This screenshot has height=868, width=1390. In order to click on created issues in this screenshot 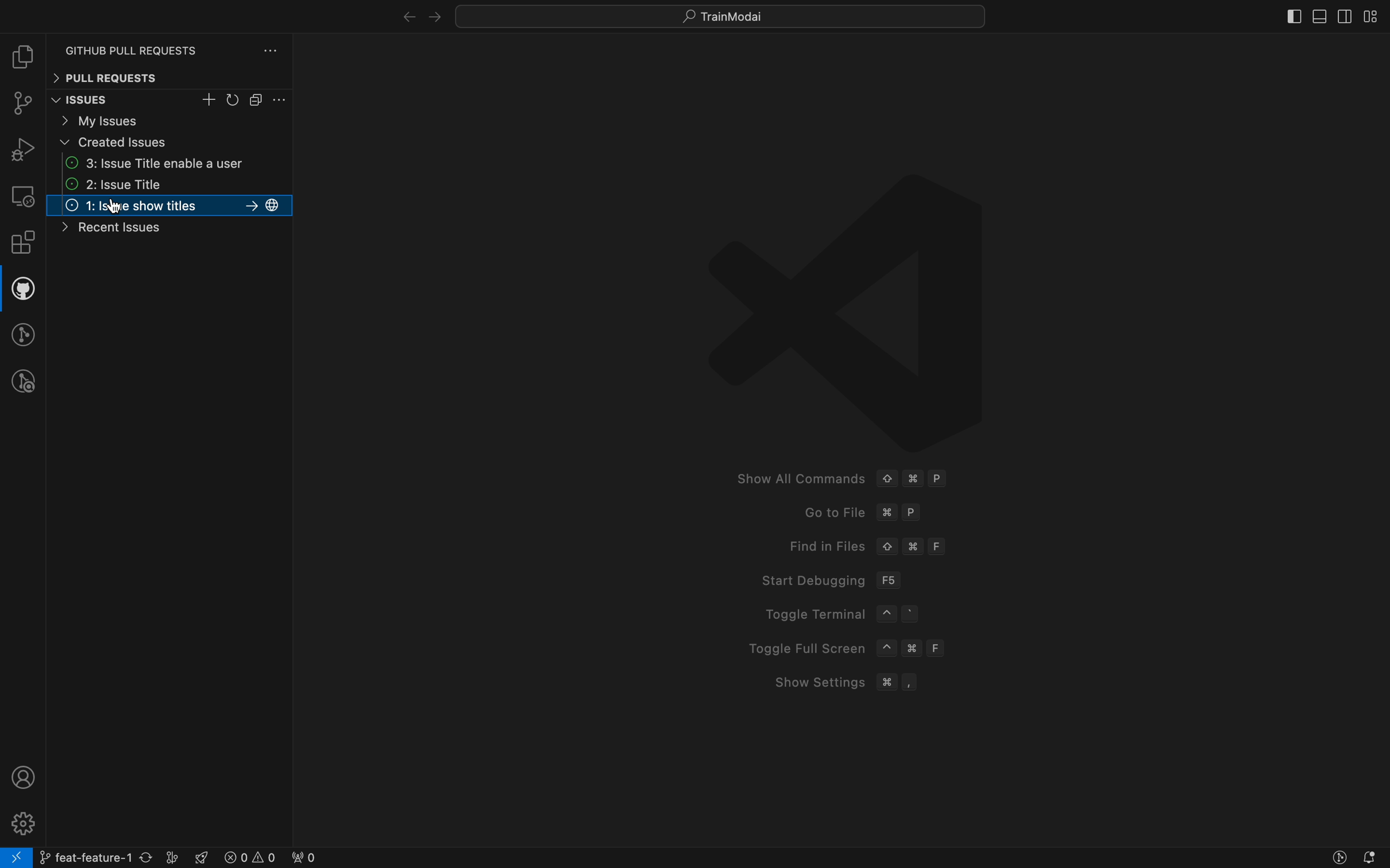, I will do `click(171, 142)`.